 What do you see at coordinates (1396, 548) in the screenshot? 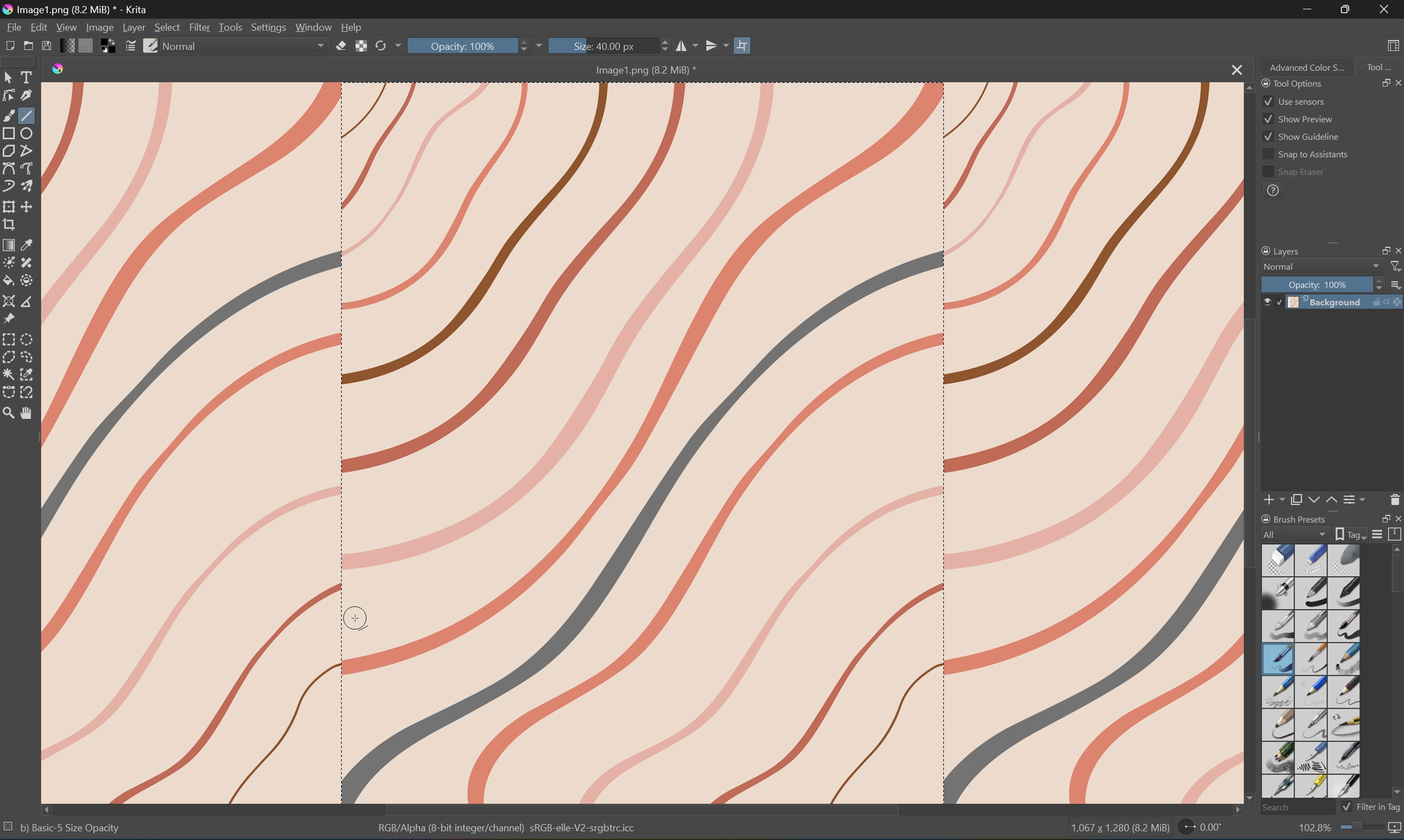
I see `Scroll Up` at bounding box center [1396, 548].